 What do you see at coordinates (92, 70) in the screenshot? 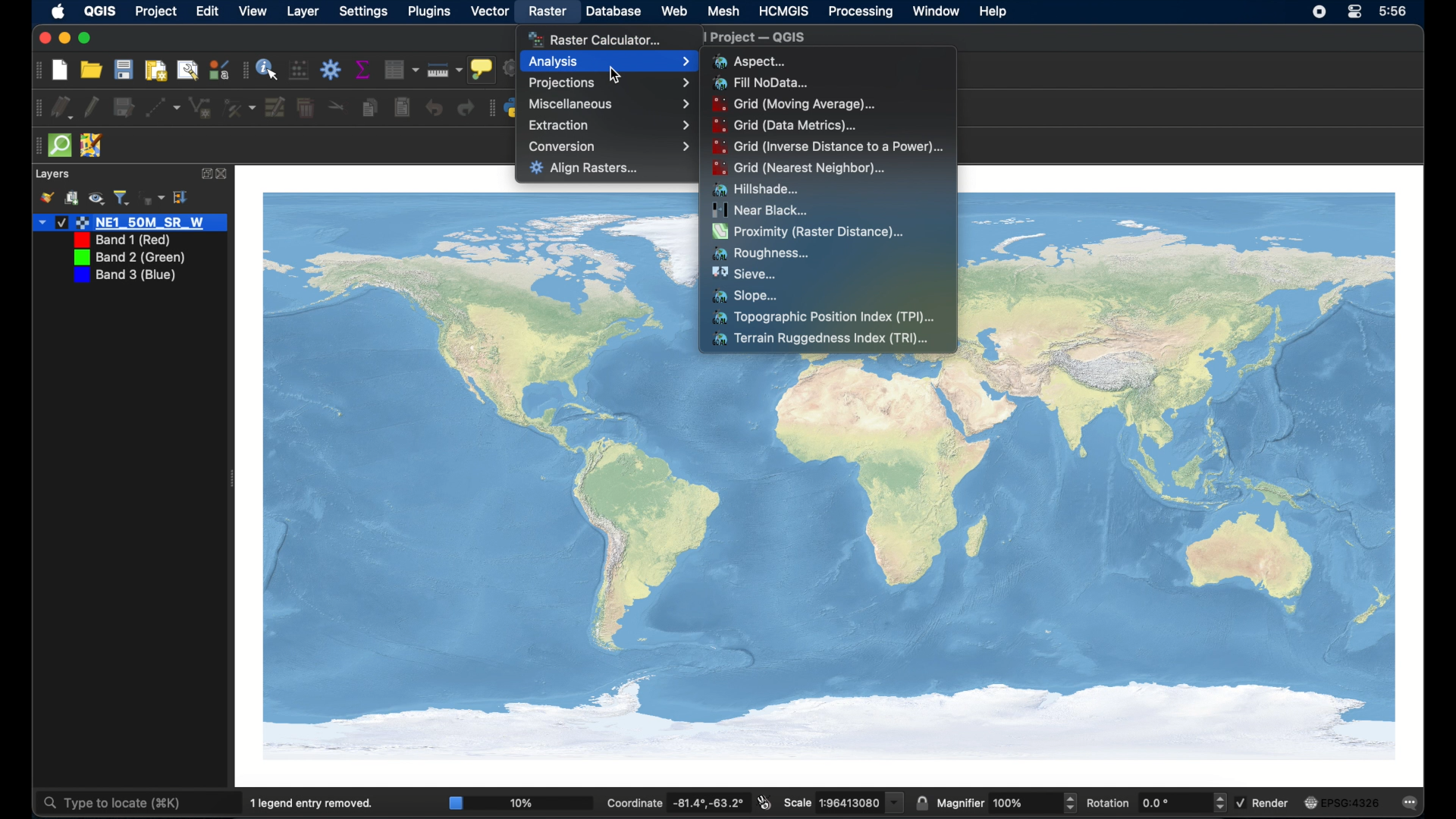
I see `open` at bounding box center [92, 70].